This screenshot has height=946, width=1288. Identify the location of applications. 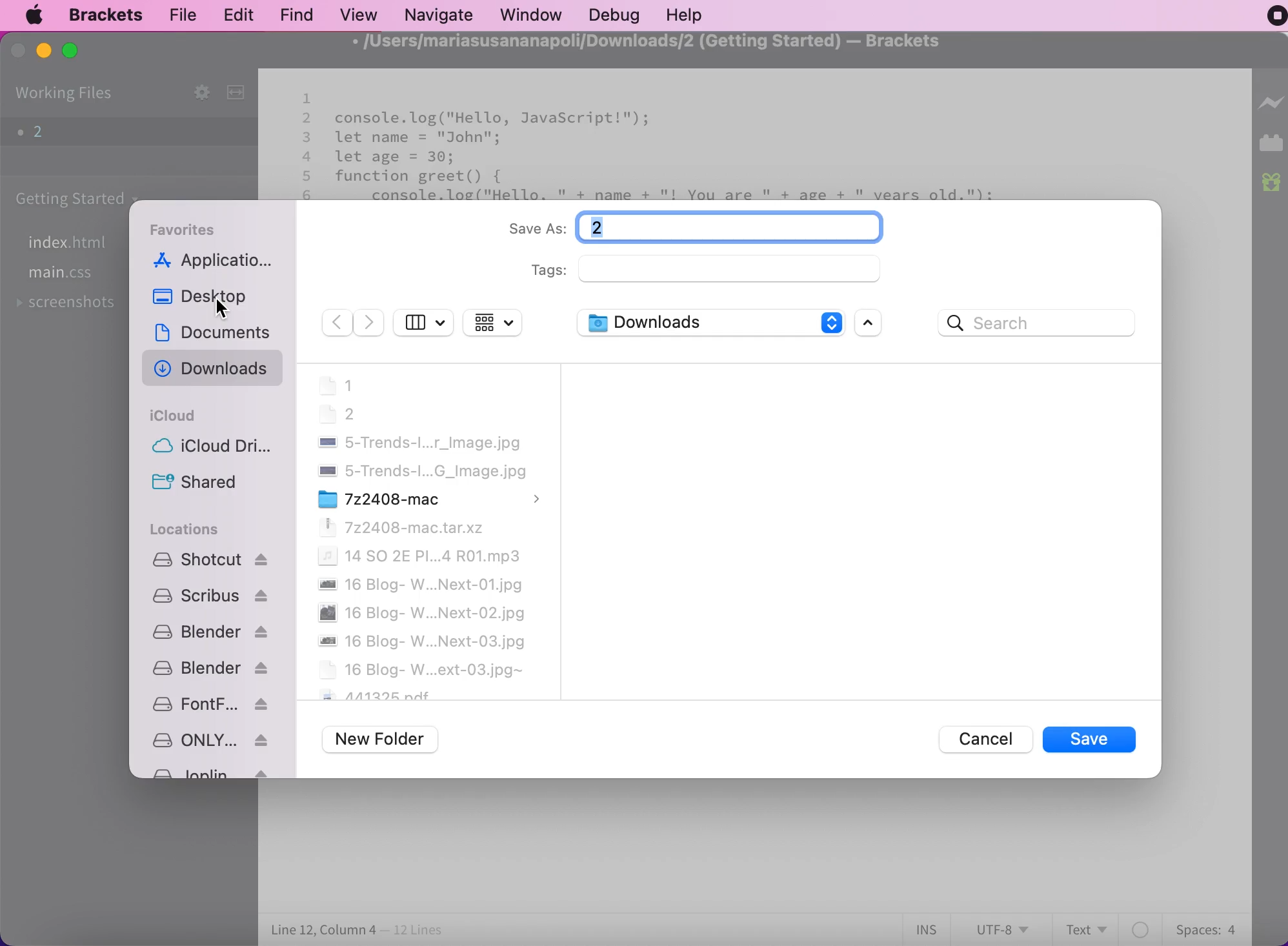
(215, 263).